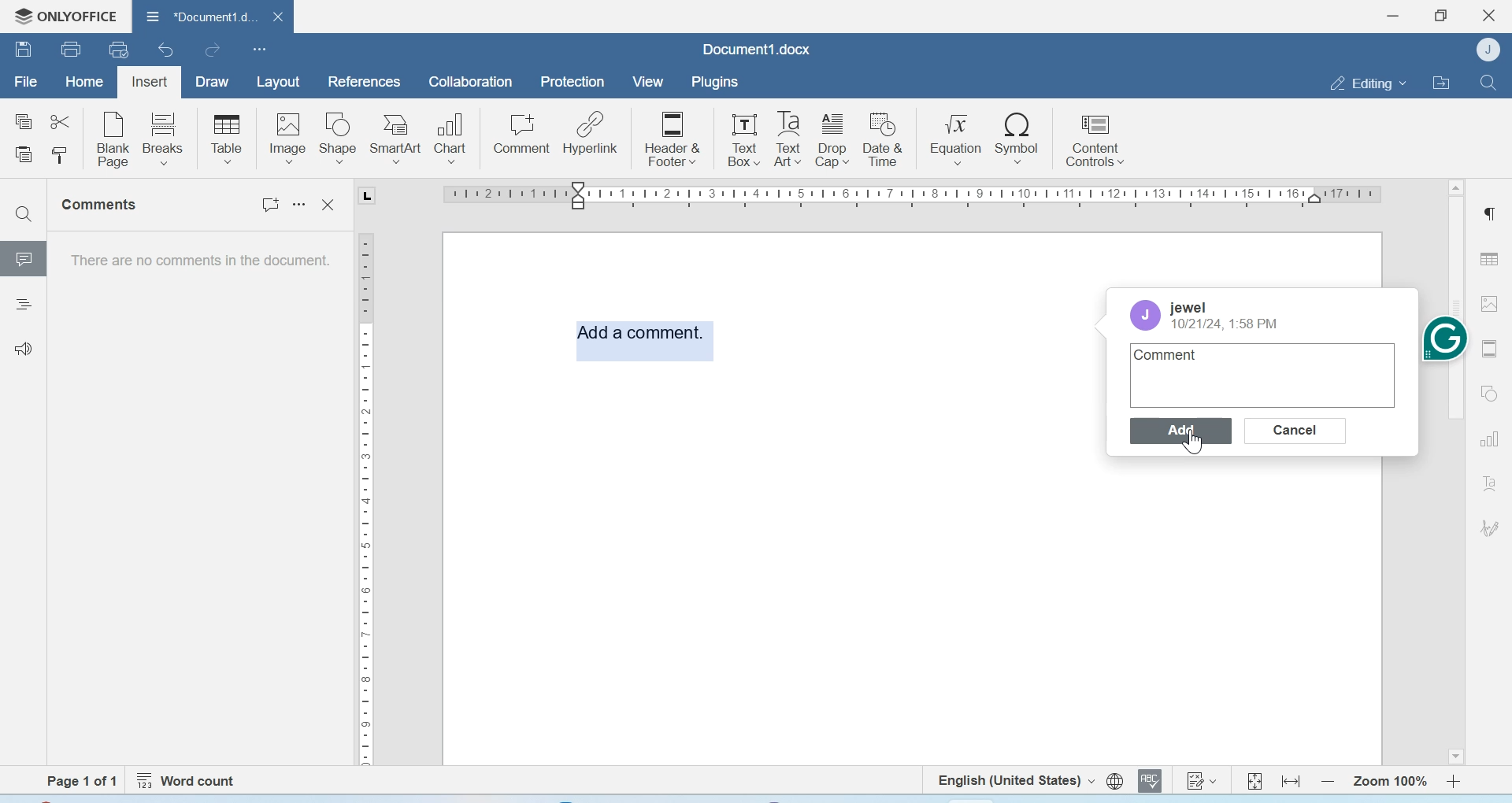 The height and width of the screenshot is (803, 1512). Describe the element at coordinates (24, 265) in the screenshot. I see `Comment icon` at that location.